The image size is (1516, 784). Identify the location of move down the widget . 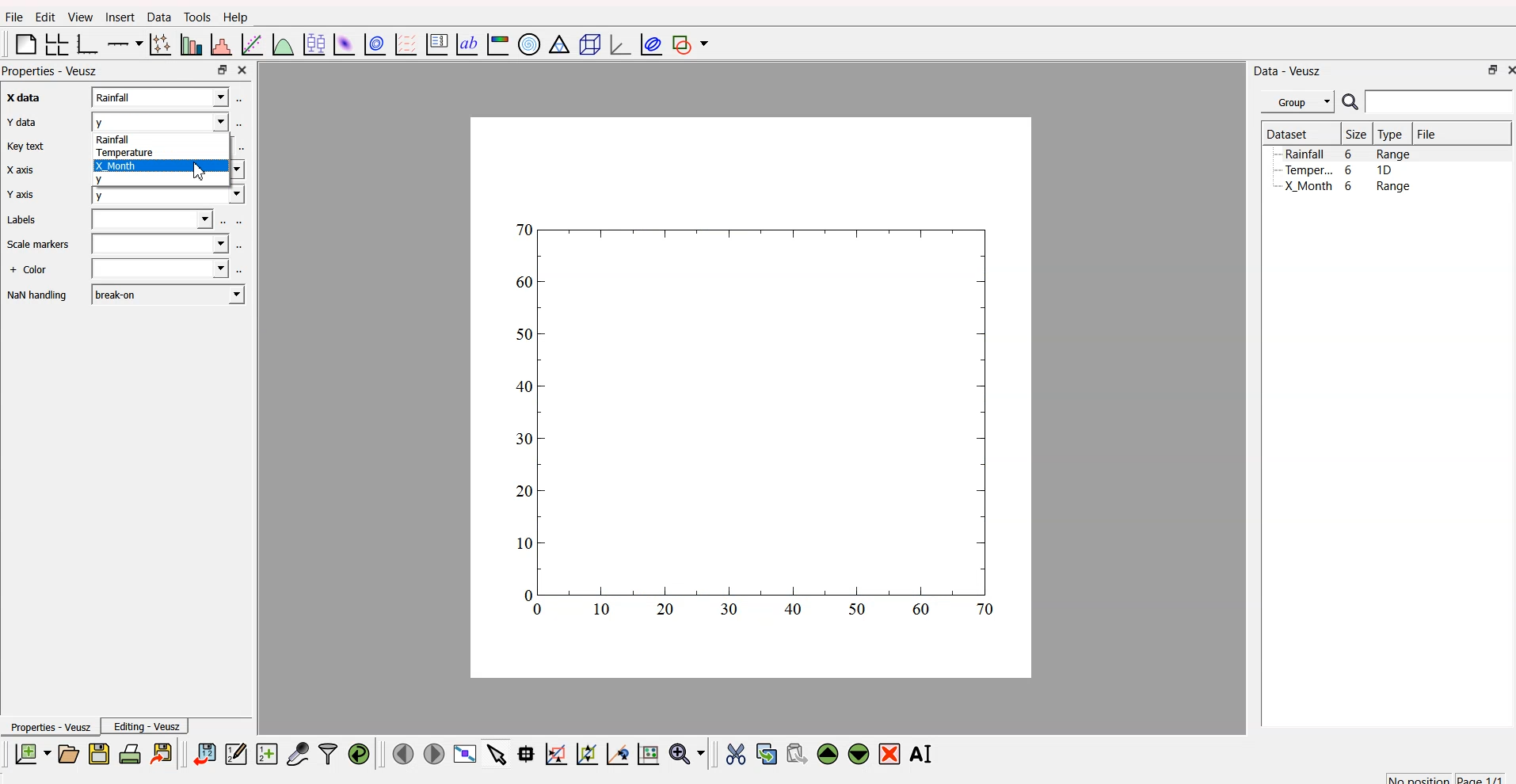
(856, 755).